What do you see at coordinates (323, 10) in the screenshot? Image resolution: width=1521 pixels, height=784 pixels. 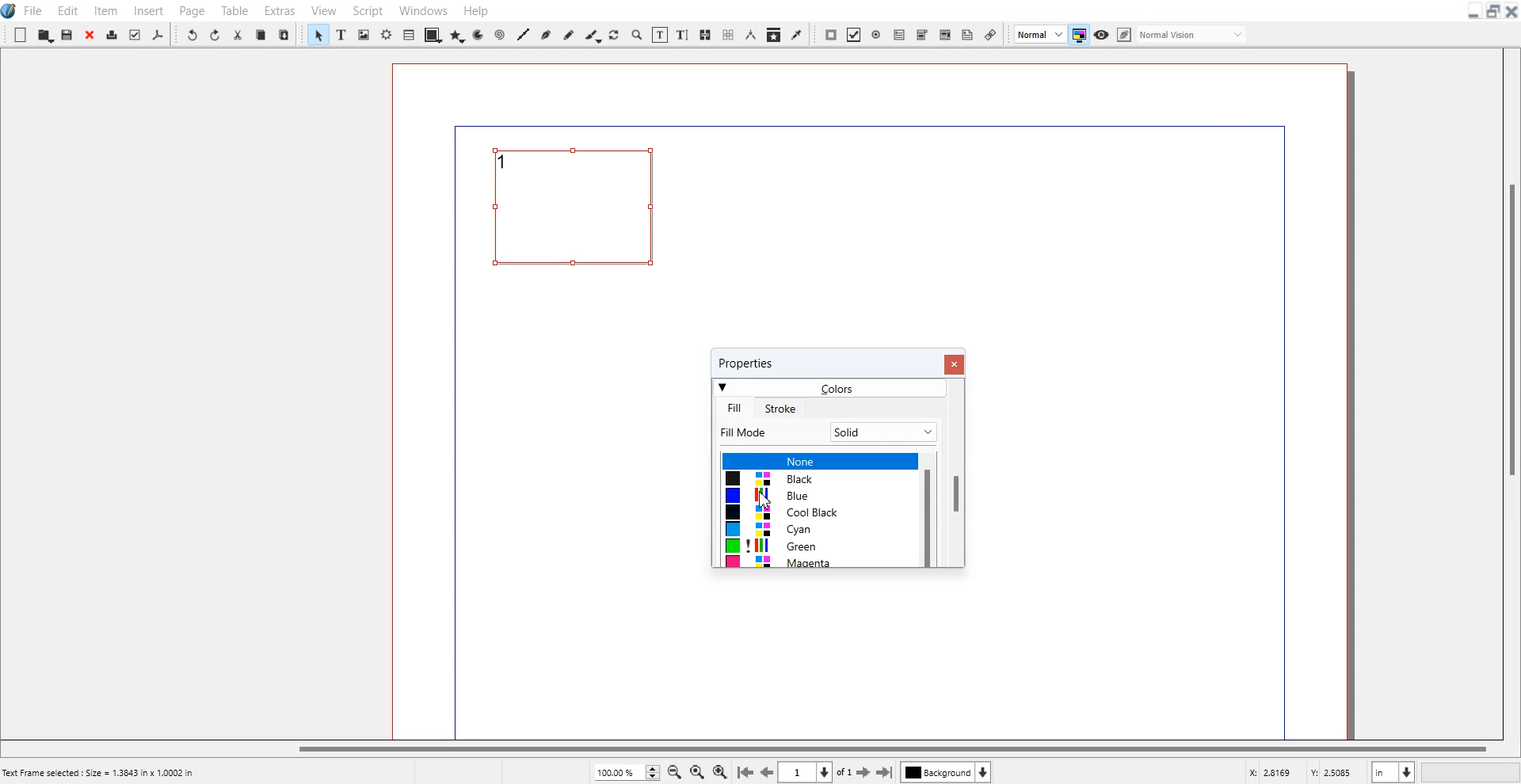 I see `View` at bounding box center [323, 10].